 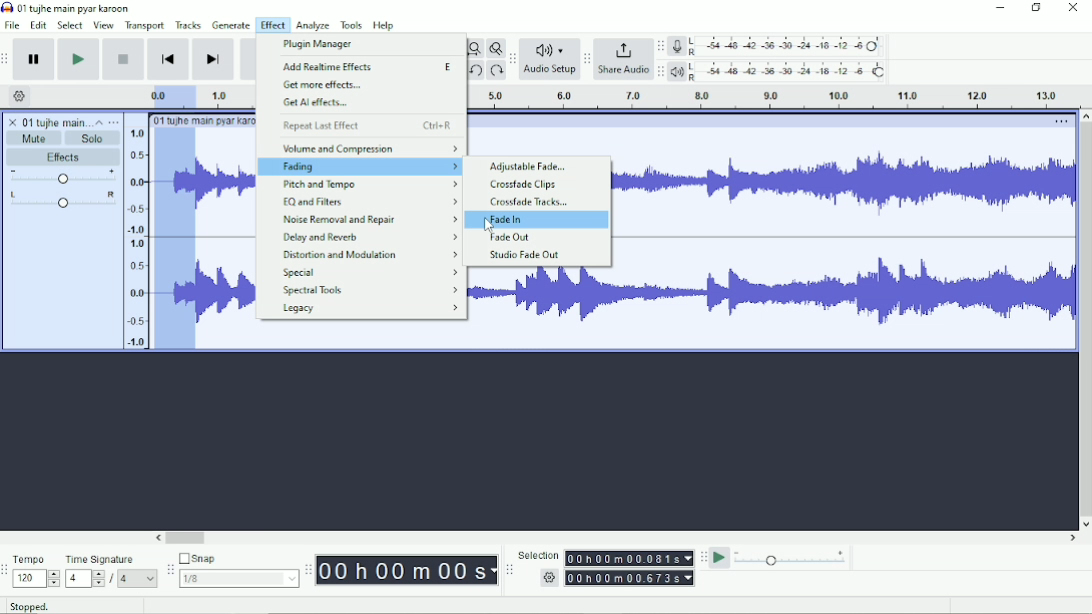 I want to click on Solo, so click(x=93, y=138).